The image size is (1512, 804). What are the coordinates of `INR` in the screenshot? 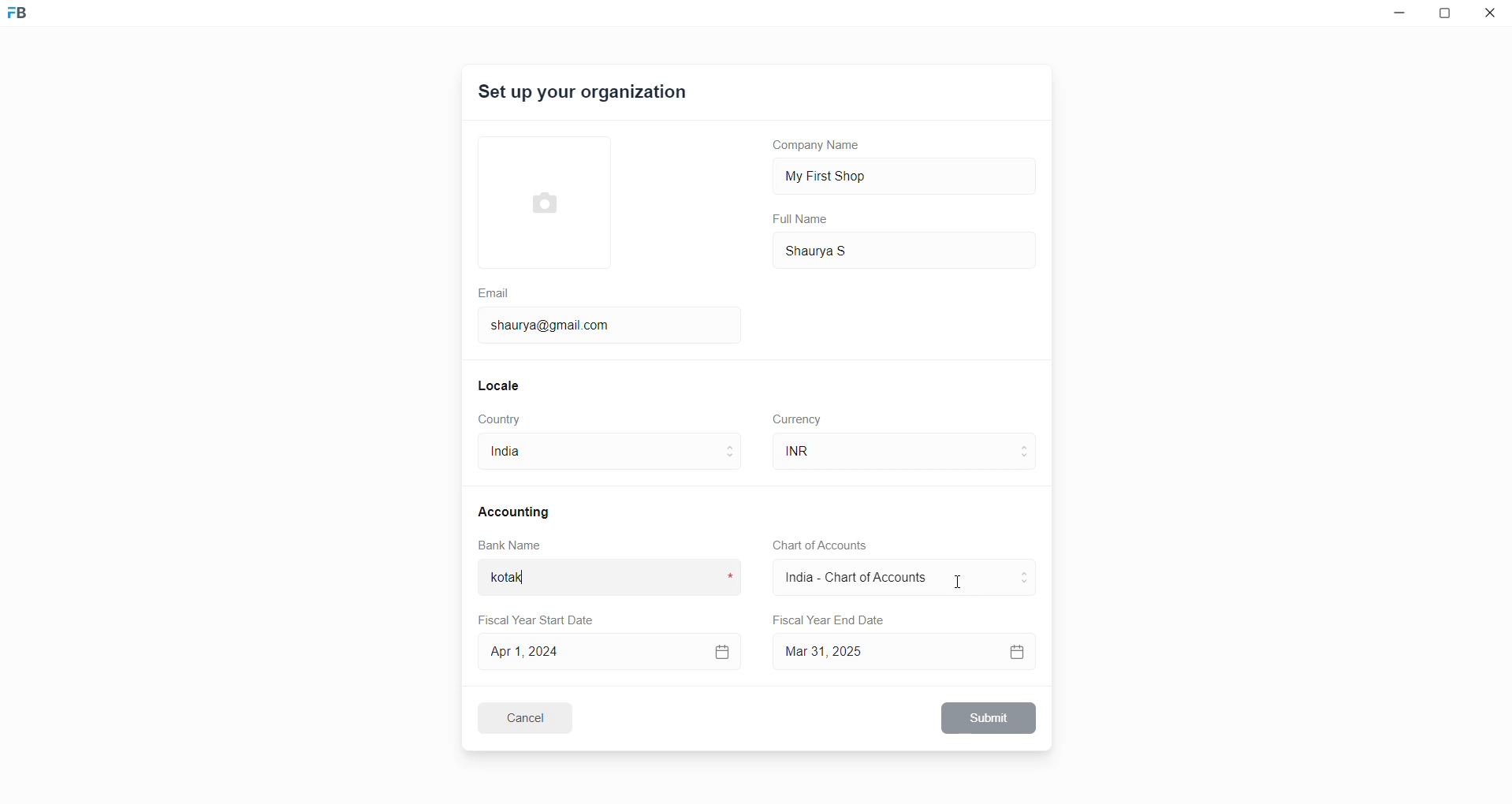 It's located at (825, 452).